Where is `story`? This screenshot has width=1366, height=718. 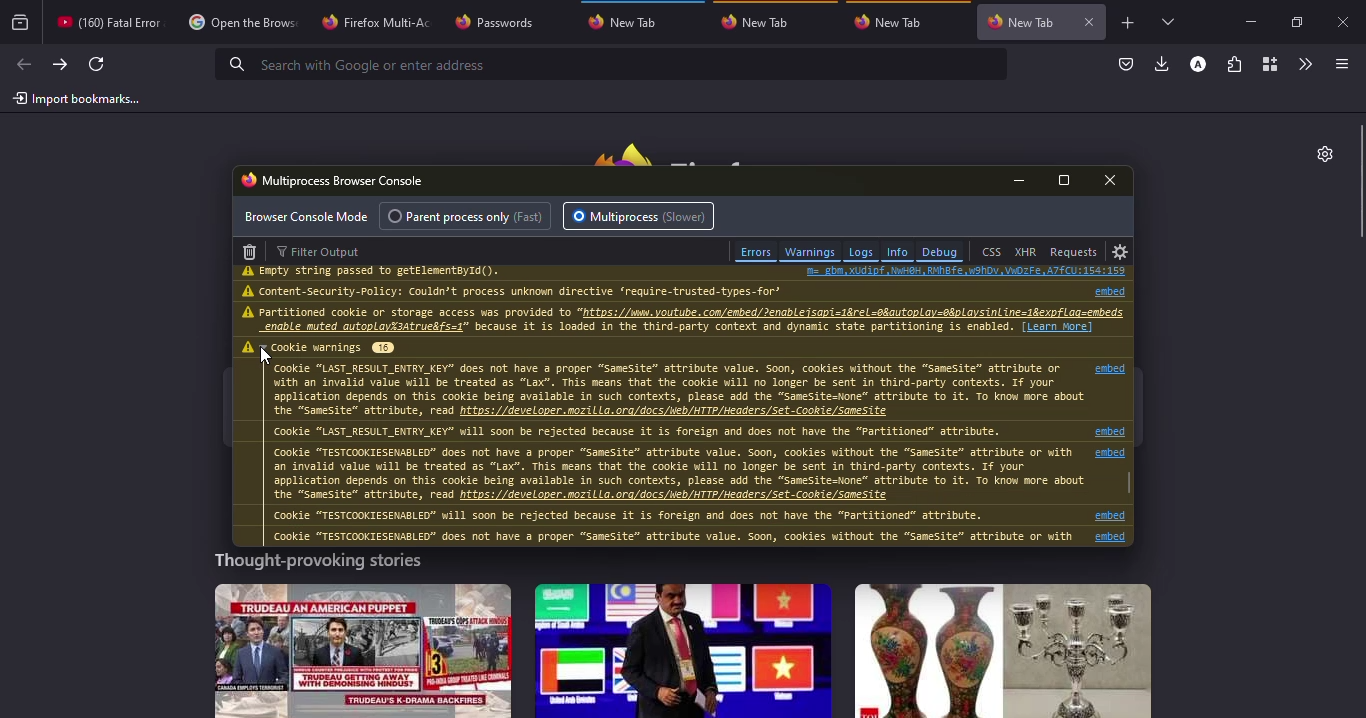 story is located at coordinates (363, 650).